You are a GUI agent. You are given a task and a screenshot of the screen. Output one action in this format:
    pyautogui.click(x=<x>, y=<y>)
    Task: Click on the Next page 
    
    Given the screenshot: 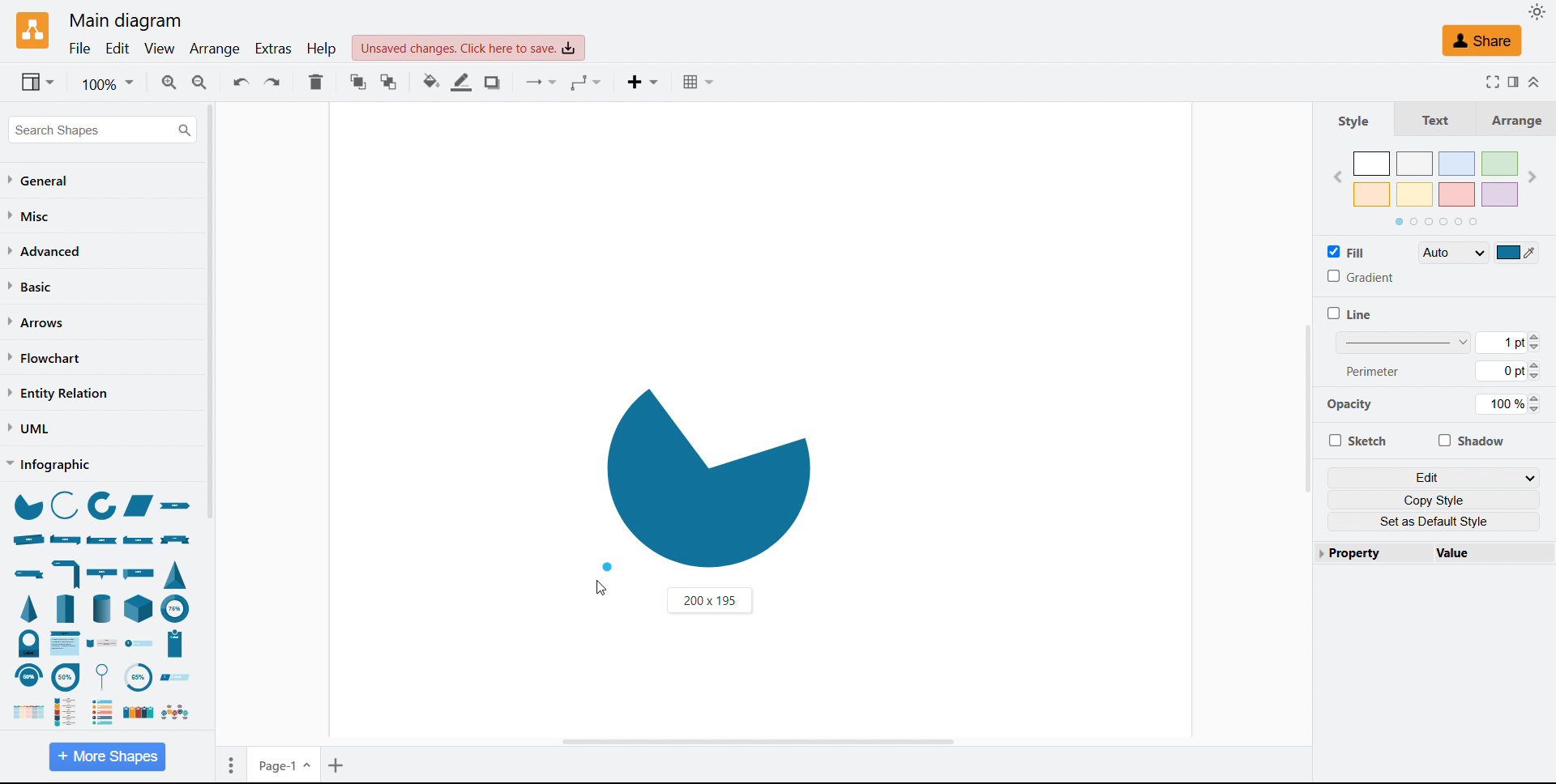 What is the action you would take?
    pyautogui.click(x=1532, y=177)
    